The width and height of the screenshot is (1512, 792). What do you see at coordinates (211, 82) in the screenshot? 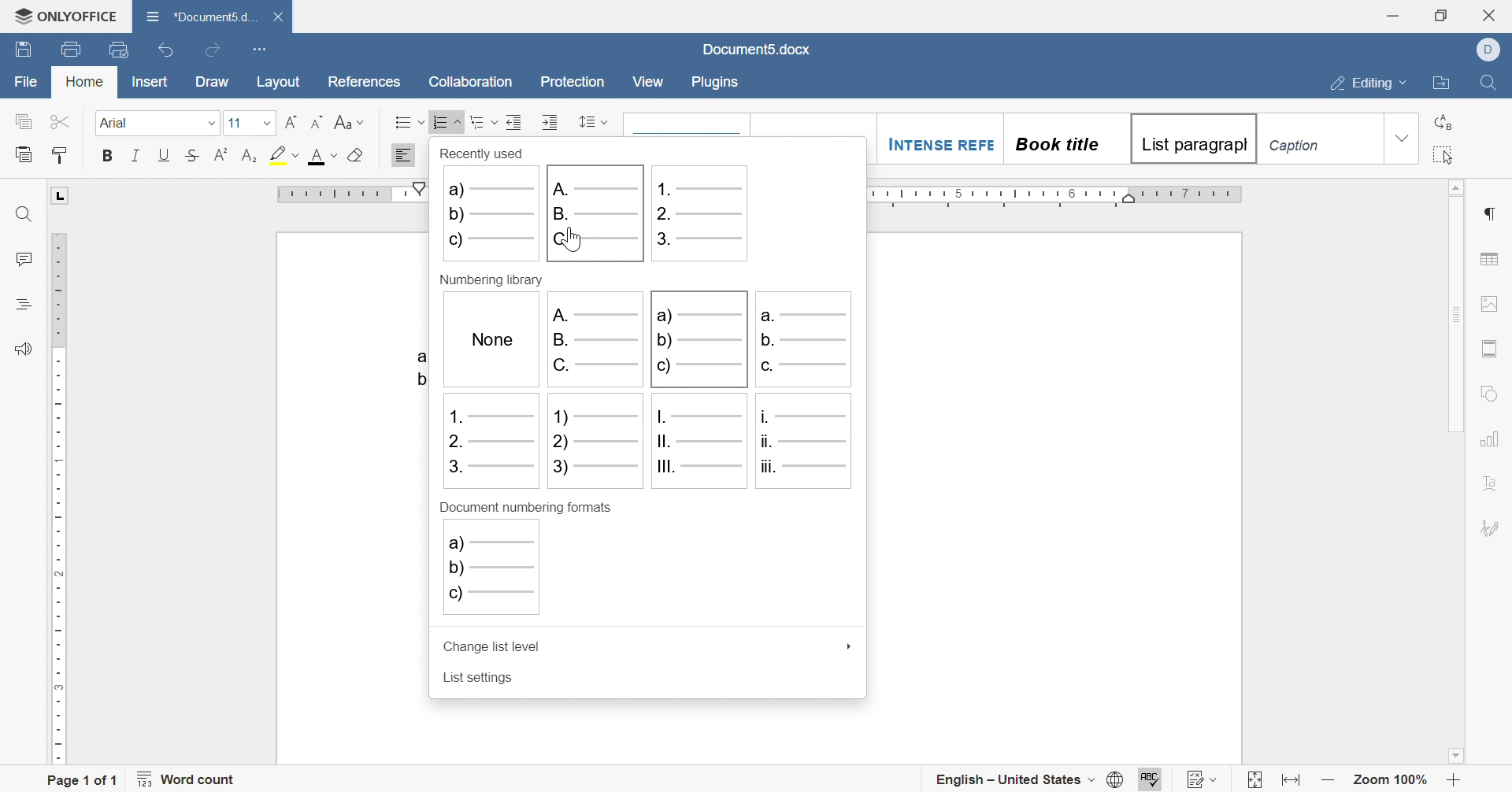
I see `draw` at bounding box center [211, 82].